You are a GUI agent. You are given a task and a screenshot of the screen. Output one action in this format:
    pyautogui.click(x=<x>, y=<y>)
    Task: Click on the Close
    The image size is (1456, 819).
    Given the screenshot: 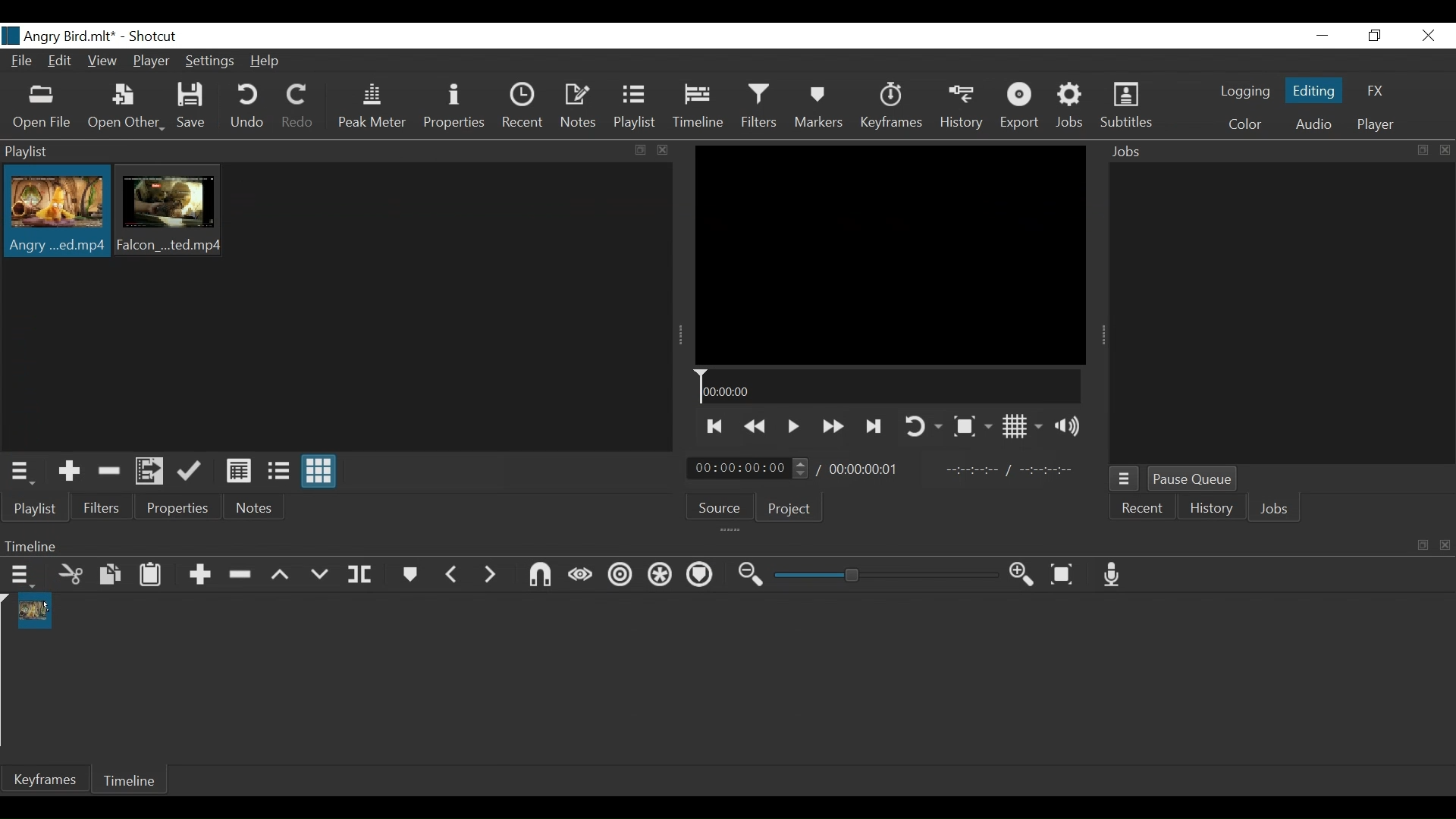 What is the action you would take?
    pyautogui.click(x=1428, y=35)
    